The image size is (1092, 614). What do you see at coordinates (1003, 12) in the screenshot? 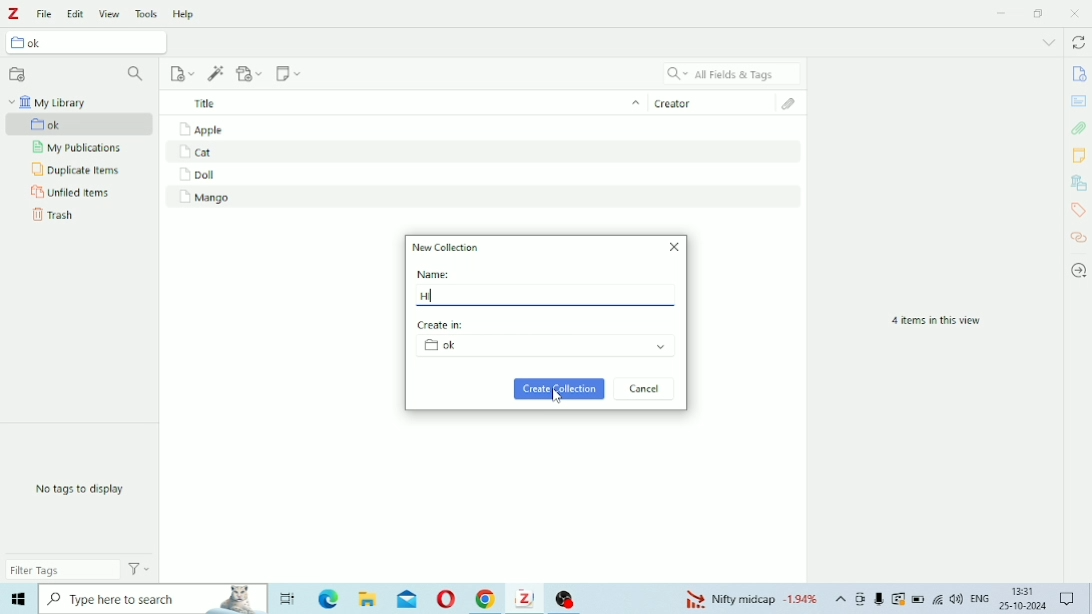
I see `Minimize` at bounding box center [1003, 12].